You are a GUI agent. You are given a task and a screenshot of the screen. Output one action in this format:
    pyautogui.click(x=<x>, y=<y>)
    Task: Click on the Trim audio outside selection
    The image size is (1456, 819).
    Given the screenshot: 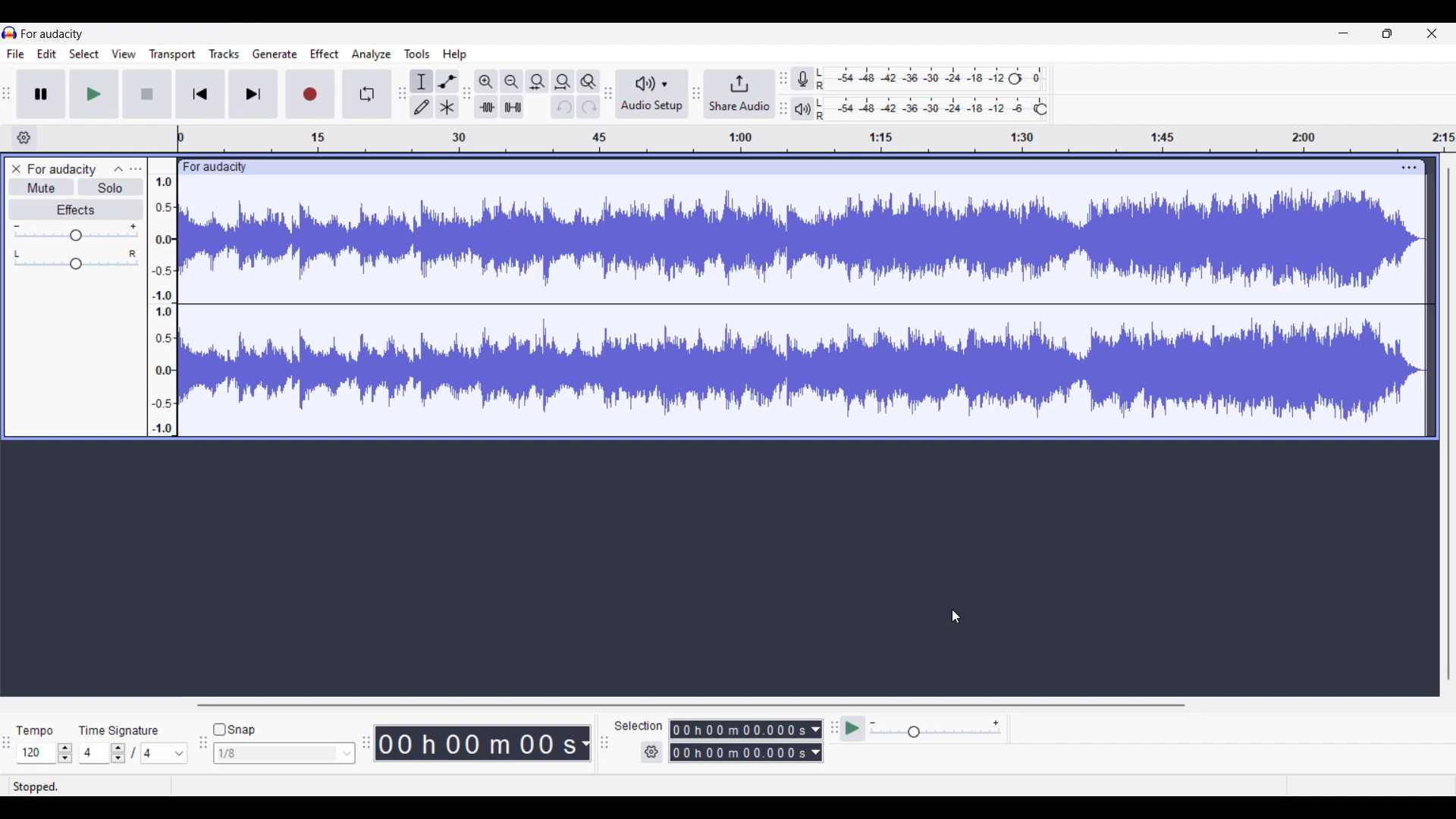 What is the action you would take?
    pyautogui.click(x=486, y=107)
    